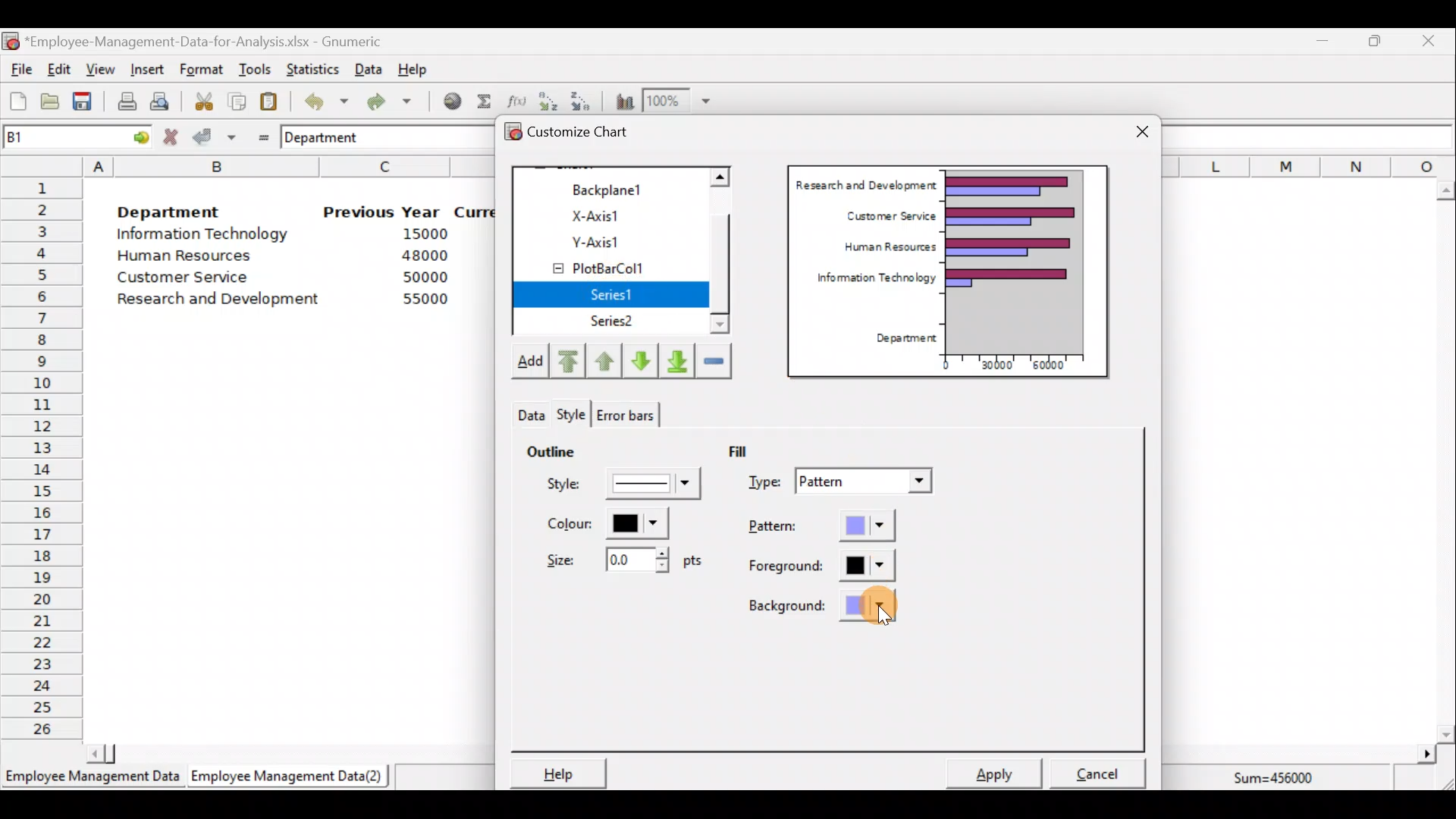 The height and width of the screenshot is (819, 1456). Describe the element at coordinates (1312, 136) in the screenshot. I see `Formula bar` at that location.